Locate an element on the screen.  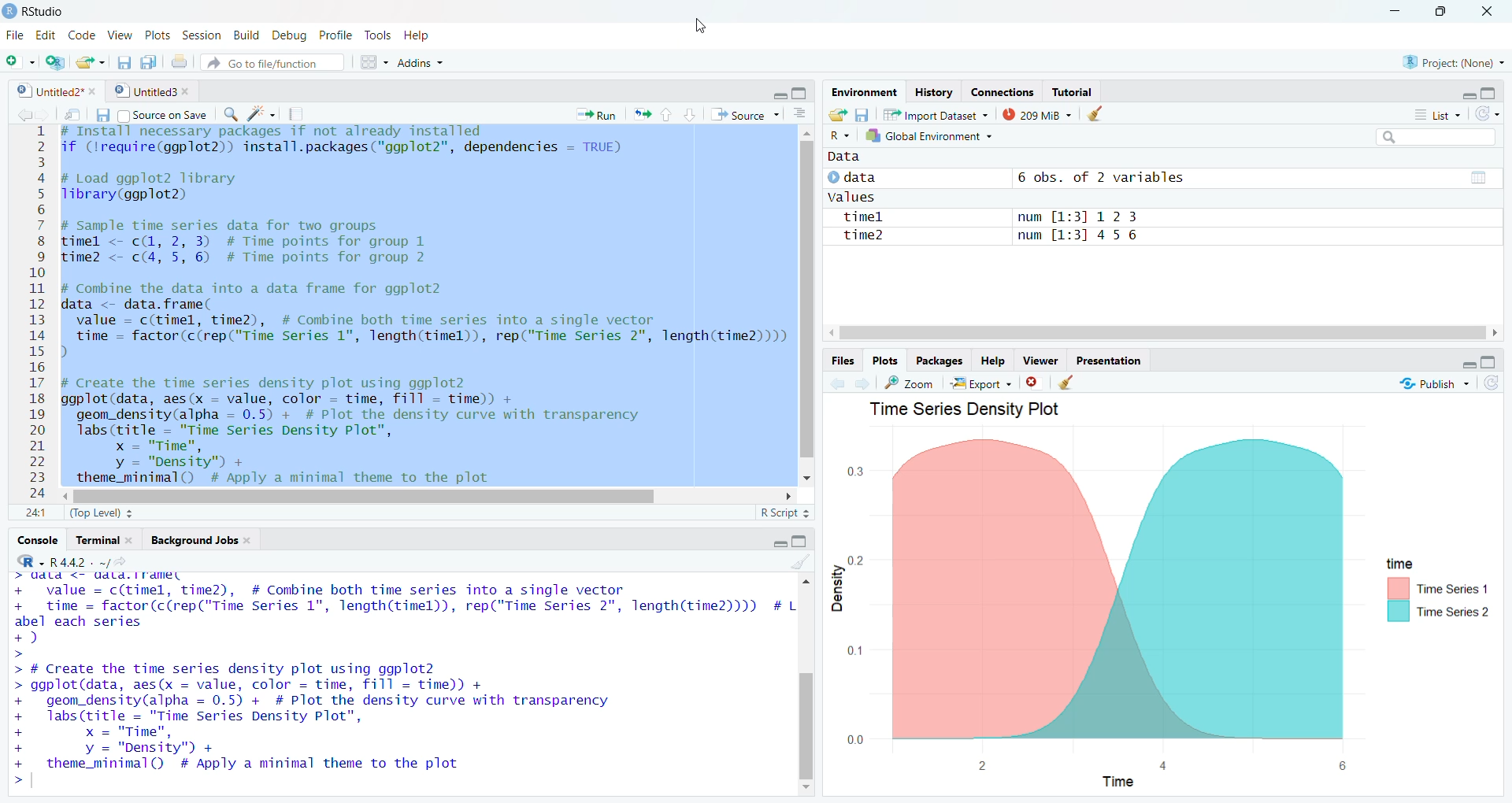
Date is located at coordinates (1478, 177).